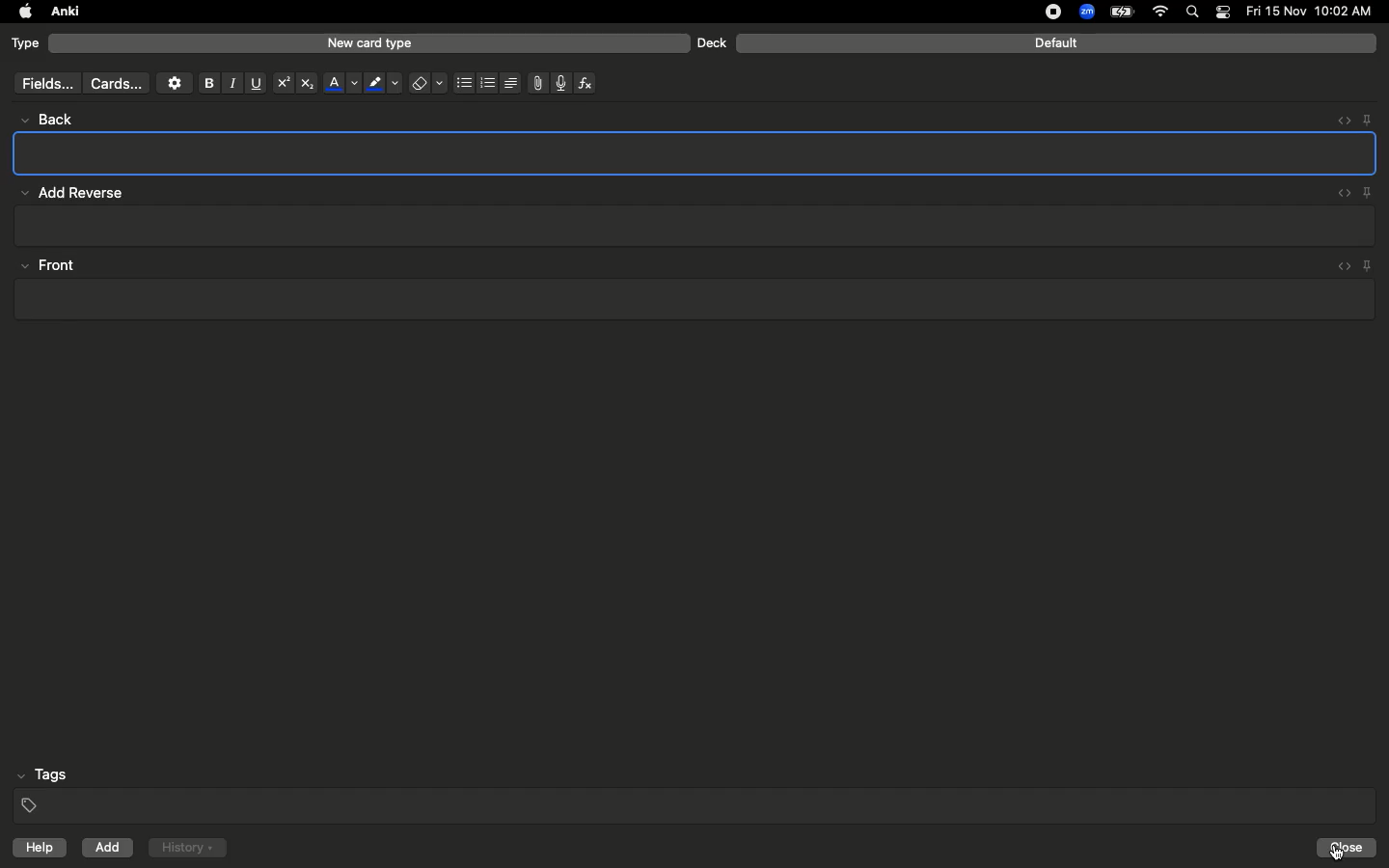 This screenshot has width=1389, height=868. I want to click on close, so click(1349, 847).